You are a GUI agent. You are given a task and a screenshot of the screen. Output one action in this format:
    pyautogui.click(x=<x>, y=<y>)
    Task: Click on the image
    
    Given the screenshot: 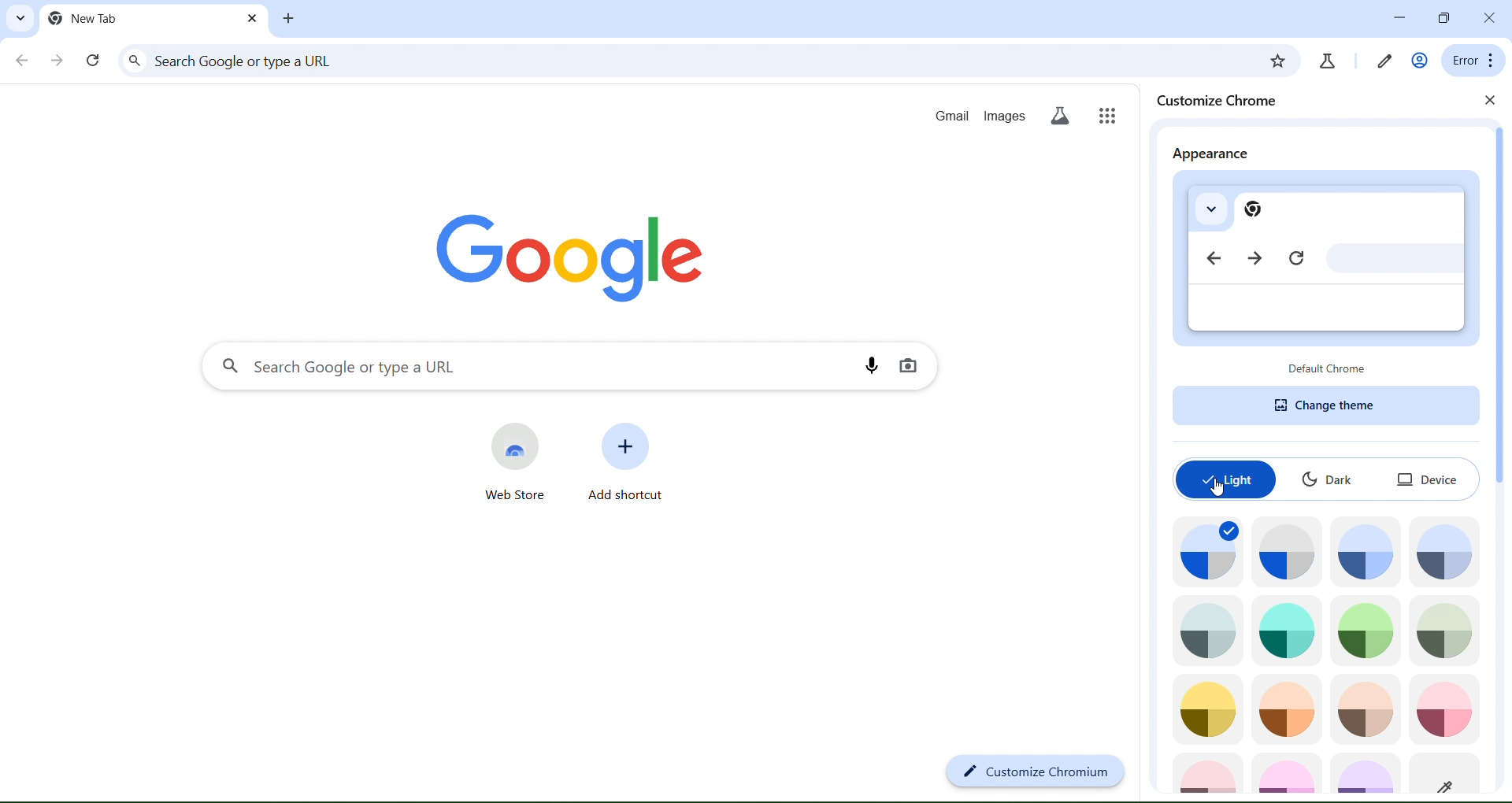 What is the action you would take?
    pyautogui.click(x=1203, y=550)
    